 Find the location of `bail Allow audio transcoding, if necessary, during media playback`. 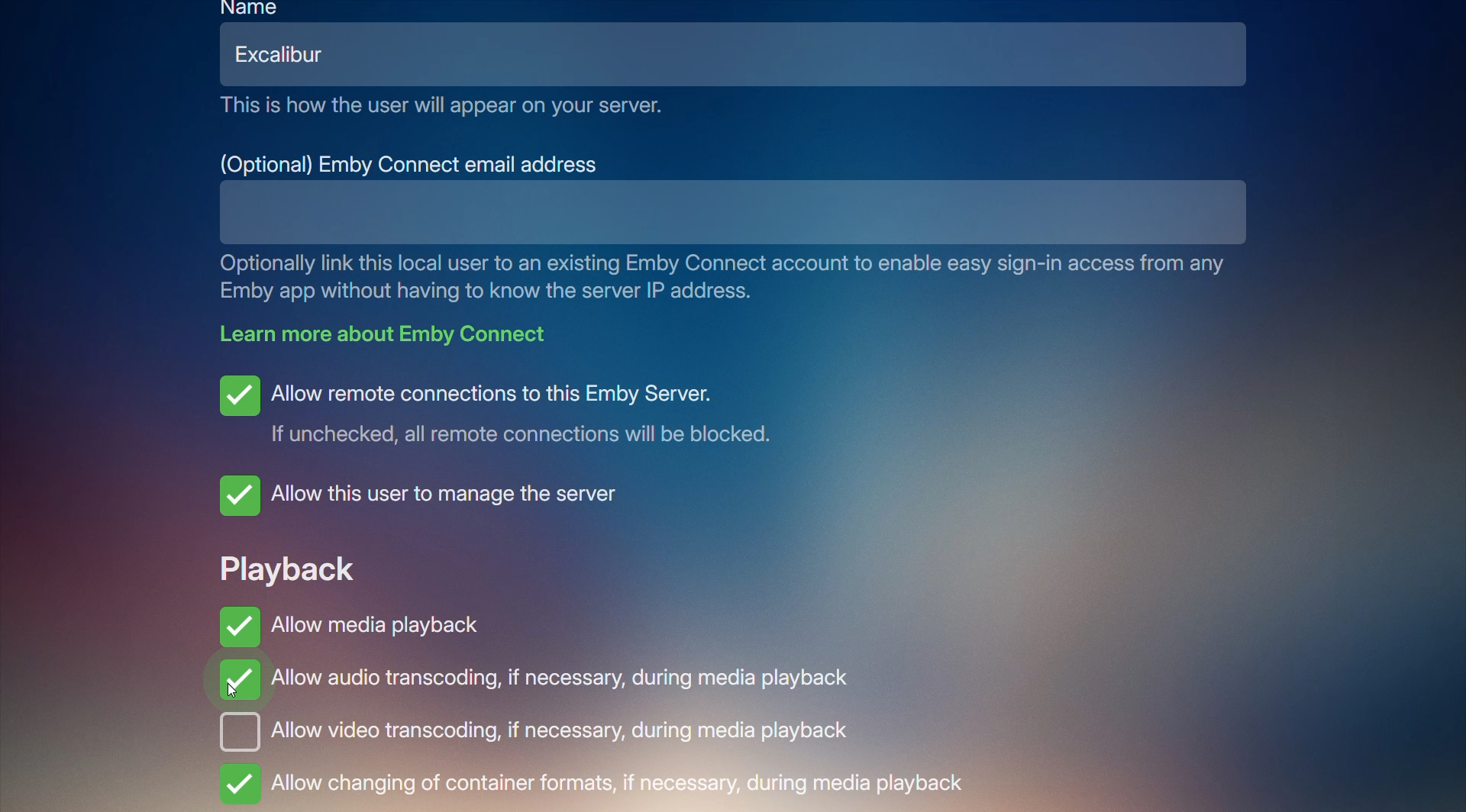

bail Allow audio transcoding, if necessary, during media playback is located at coordinates (541, 683).